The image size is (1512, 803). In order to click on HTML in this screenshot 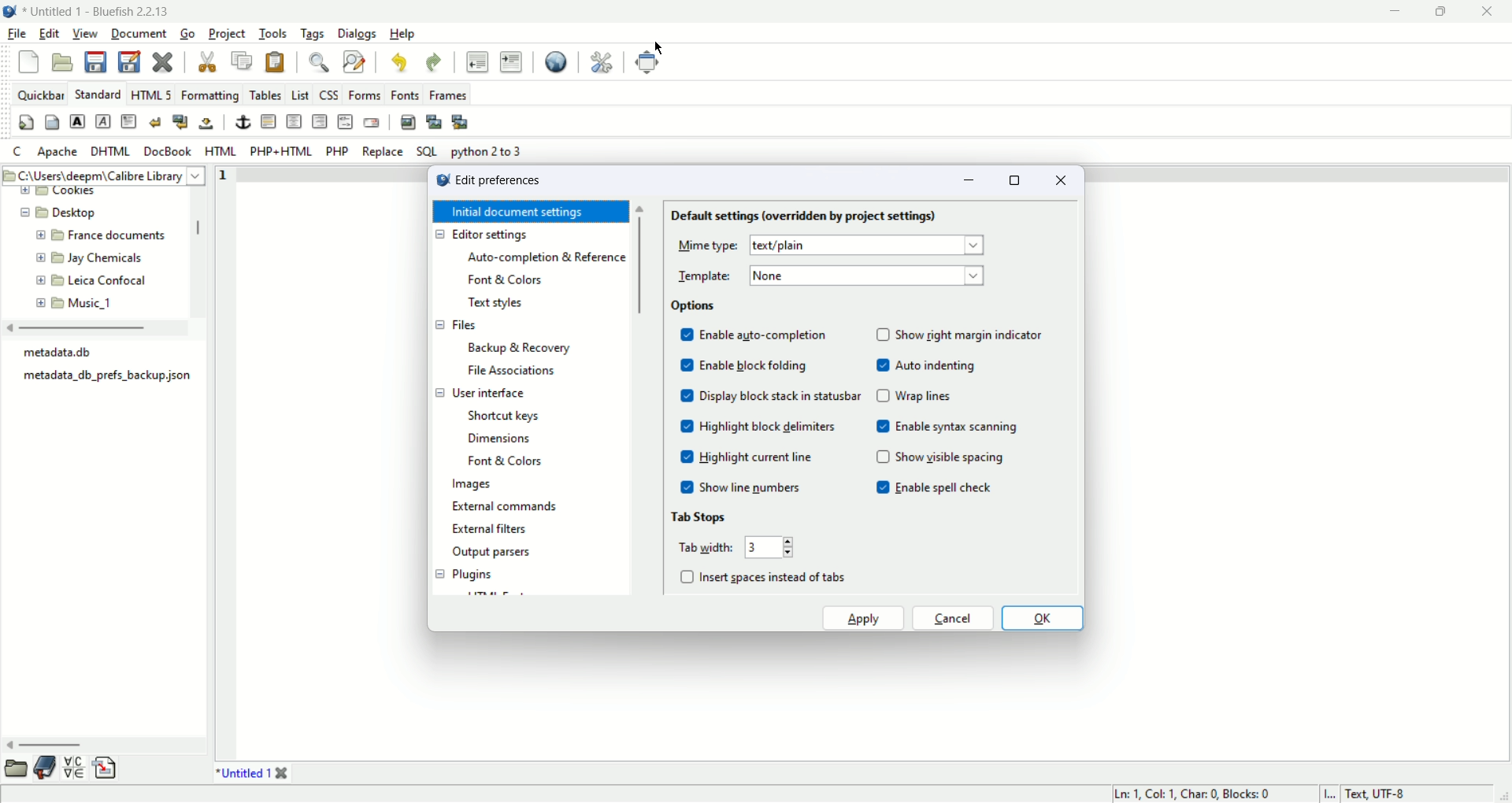, I will do `click(220, 152)`.